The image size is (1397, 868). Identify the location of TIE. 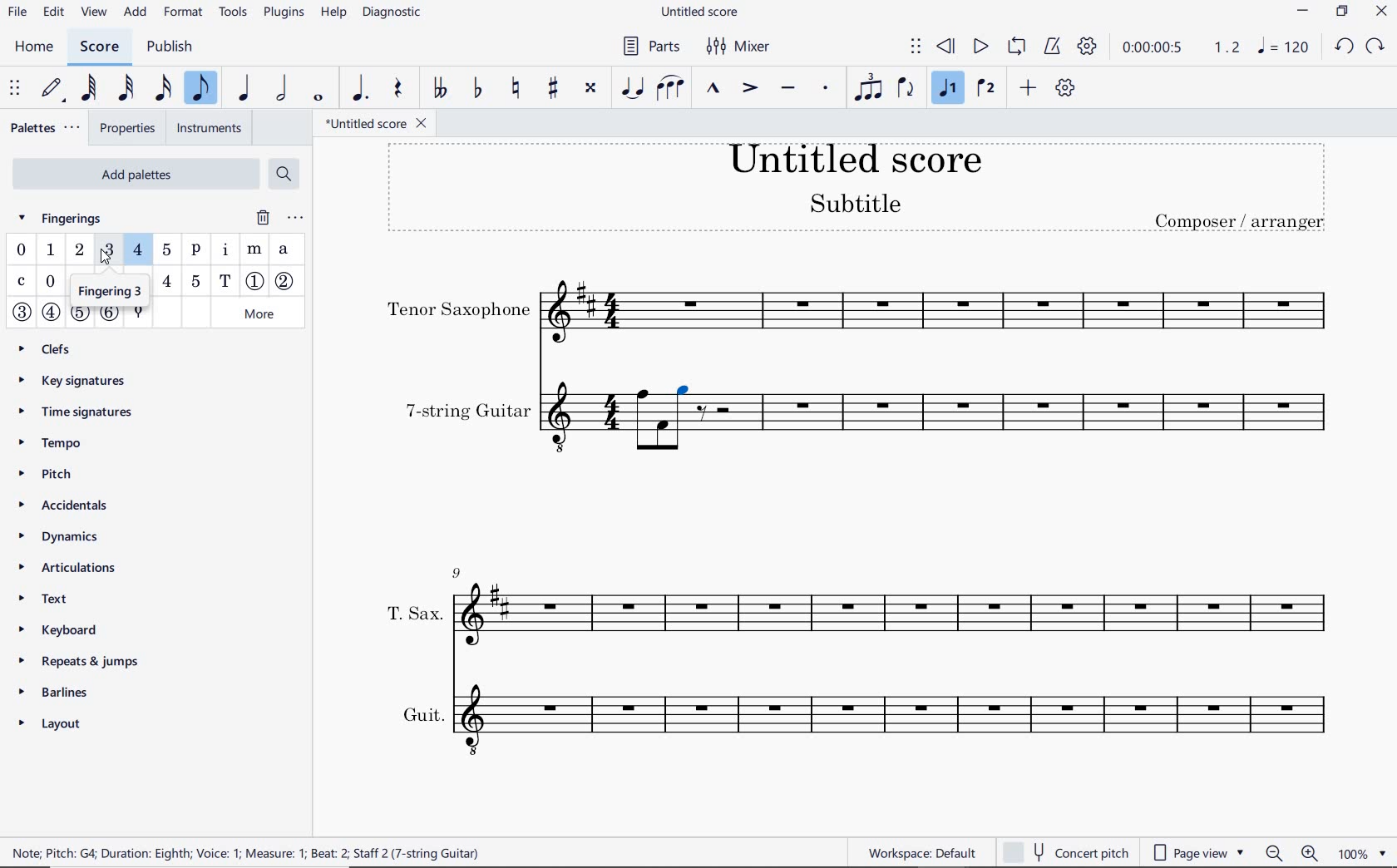
(631, 87).